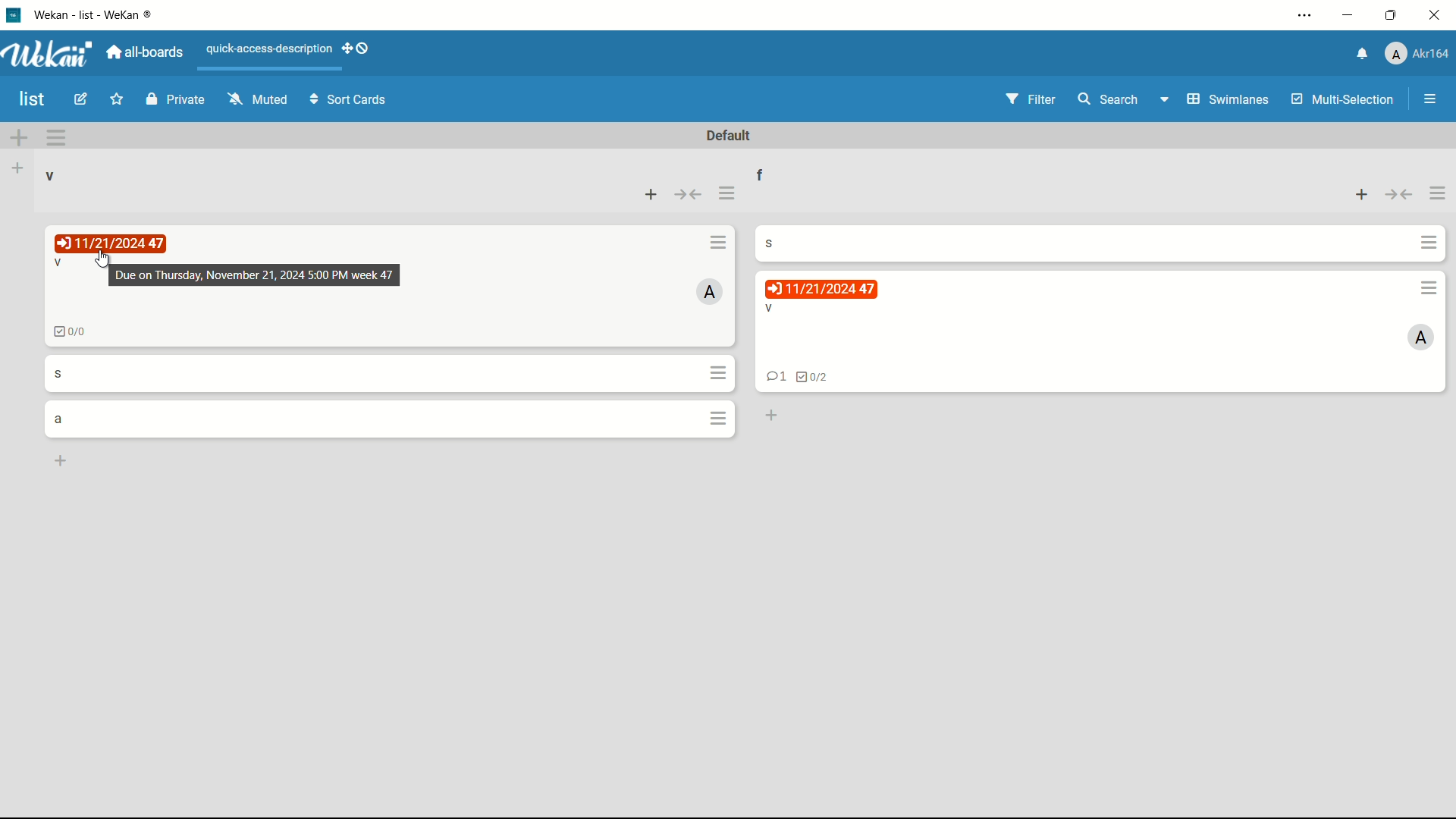  What do you see at coordinates (269, 49) in the screenshot?
I see `quick-access-description` at bounding box center [269, 49].